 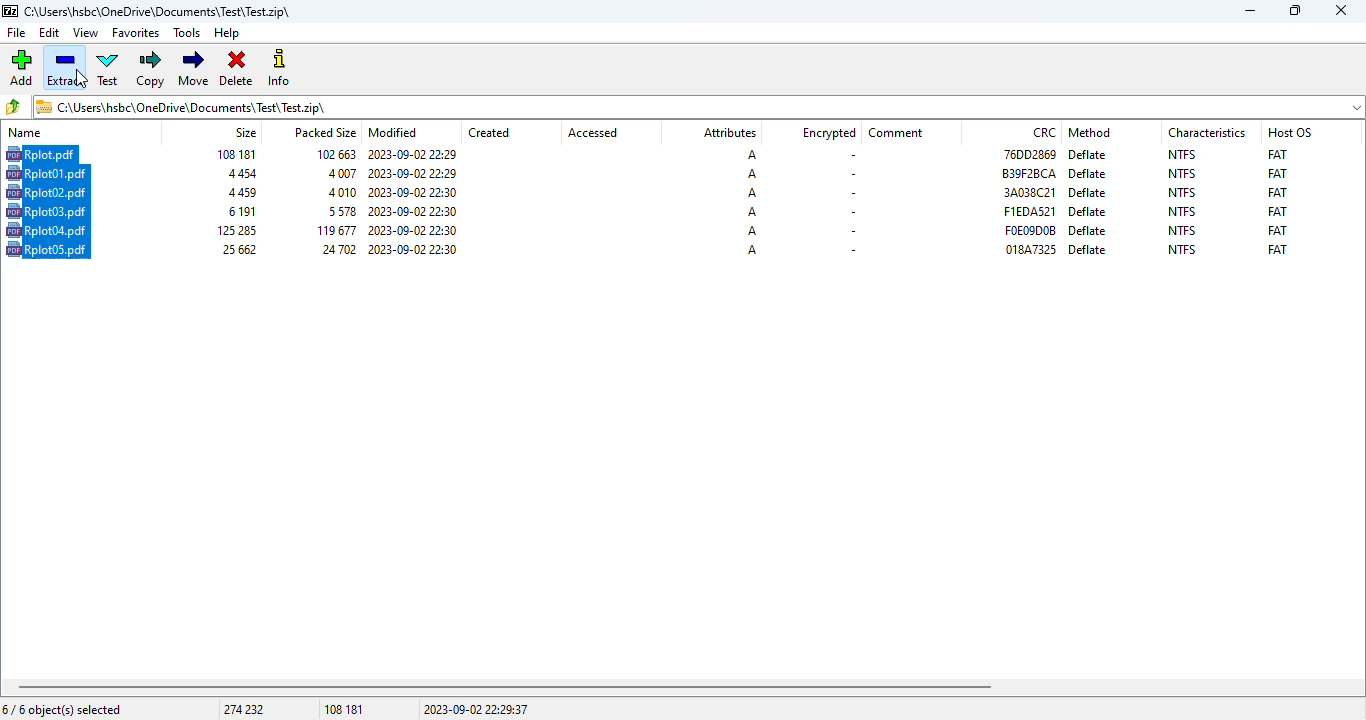 What do you see at coordinates (476, 709) in the screenshot?
I see `2023-09-02 22:29:37` at bounding box center [476, 709].